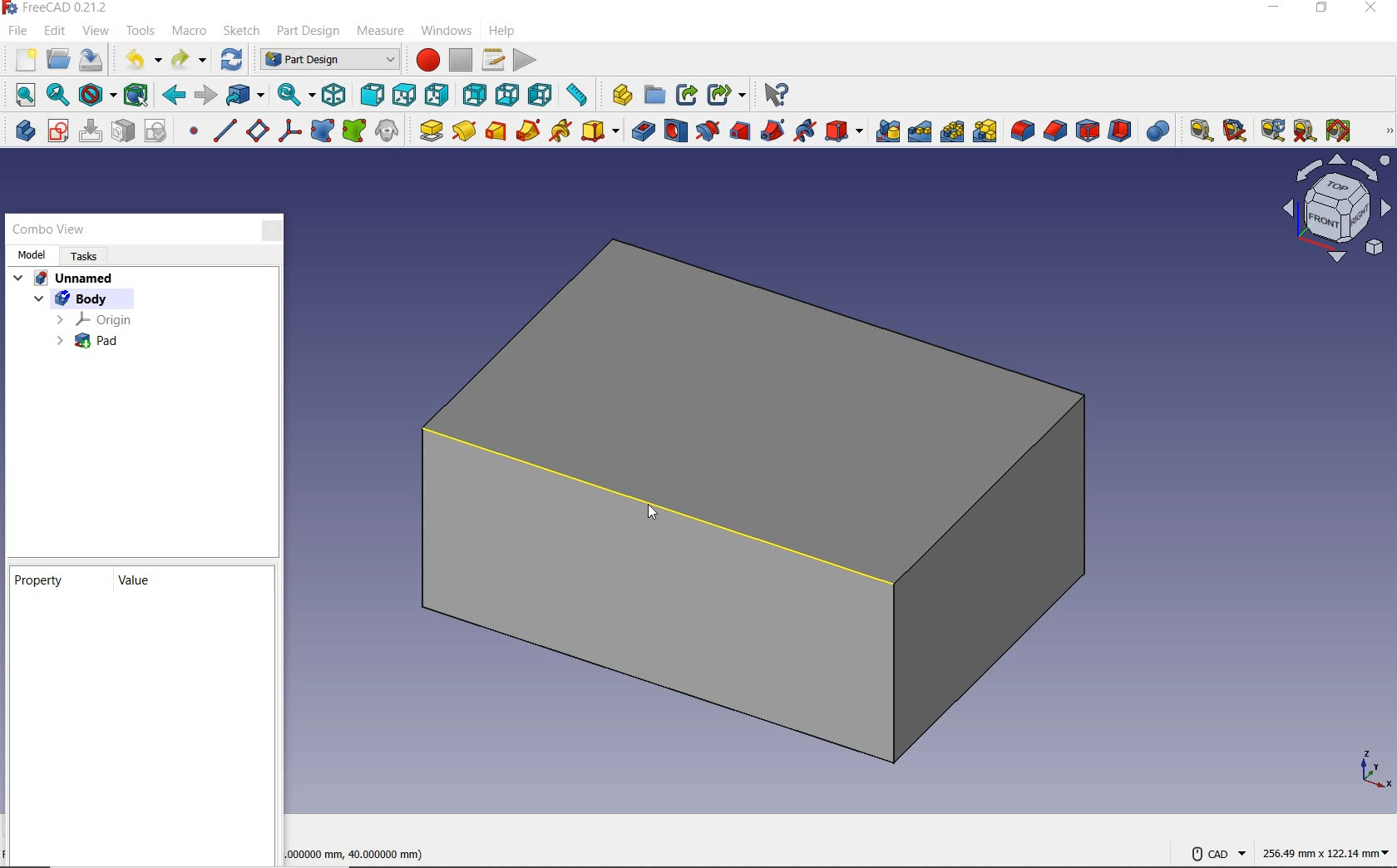 The image size is (1397, 868). I want to click on file, so click(19, 32).